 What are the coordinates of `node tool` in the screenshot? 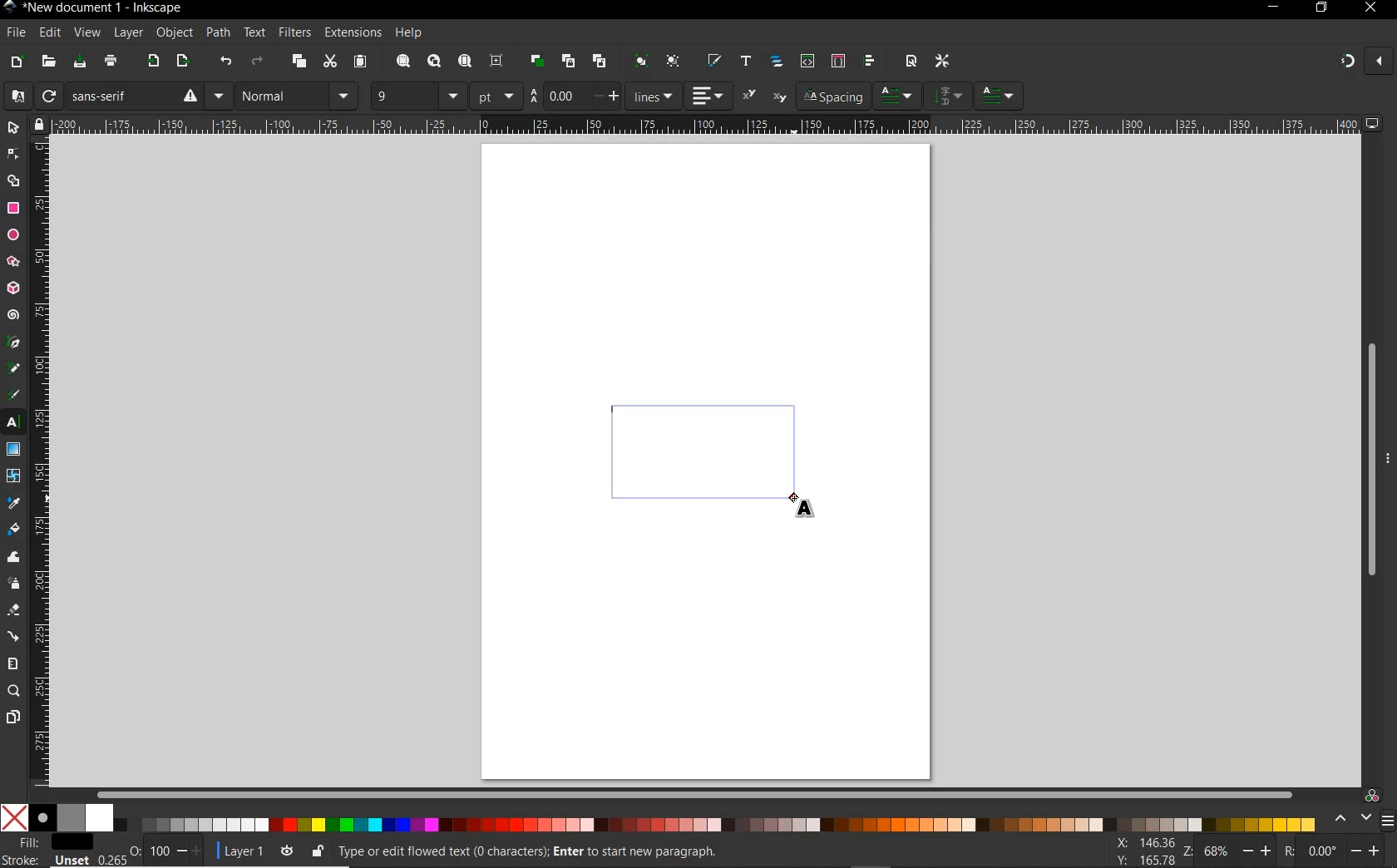 It's located at (13, 154).